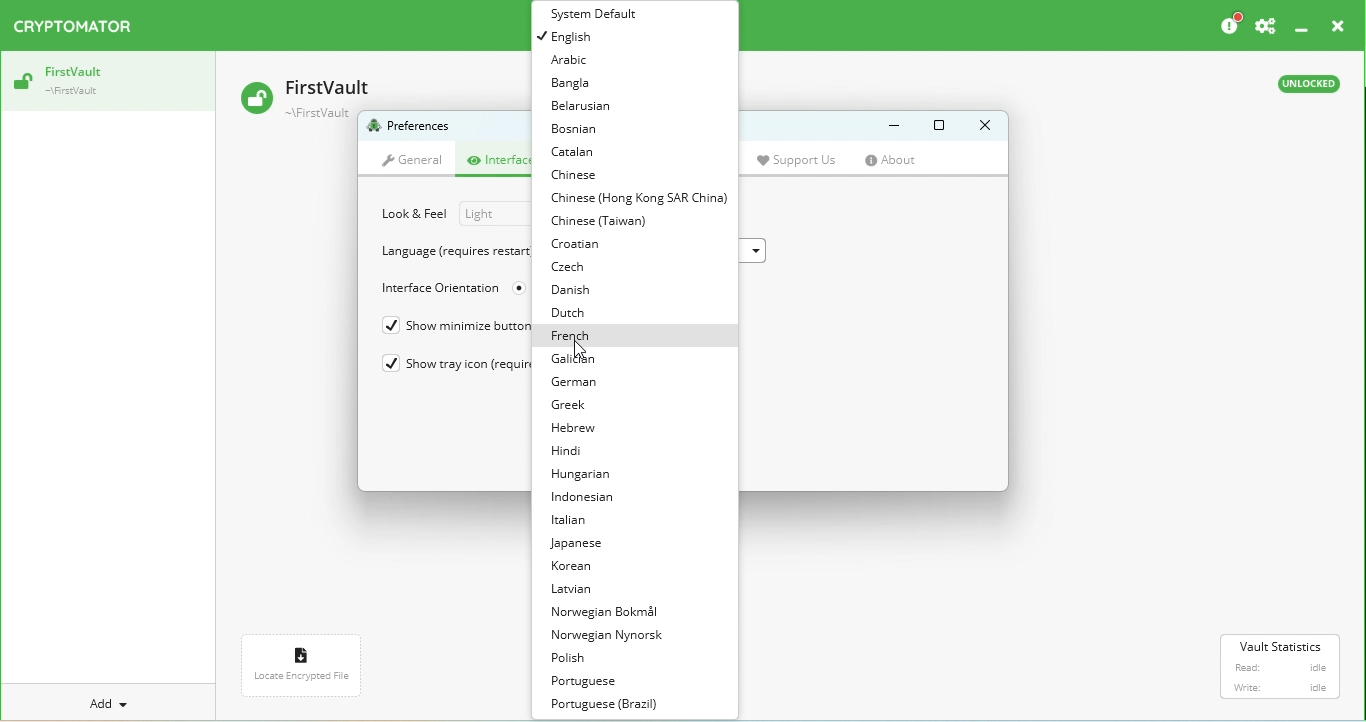 The width and height of the screenshot is (1366, 722). I want to click on Vault, so click(105, 82).